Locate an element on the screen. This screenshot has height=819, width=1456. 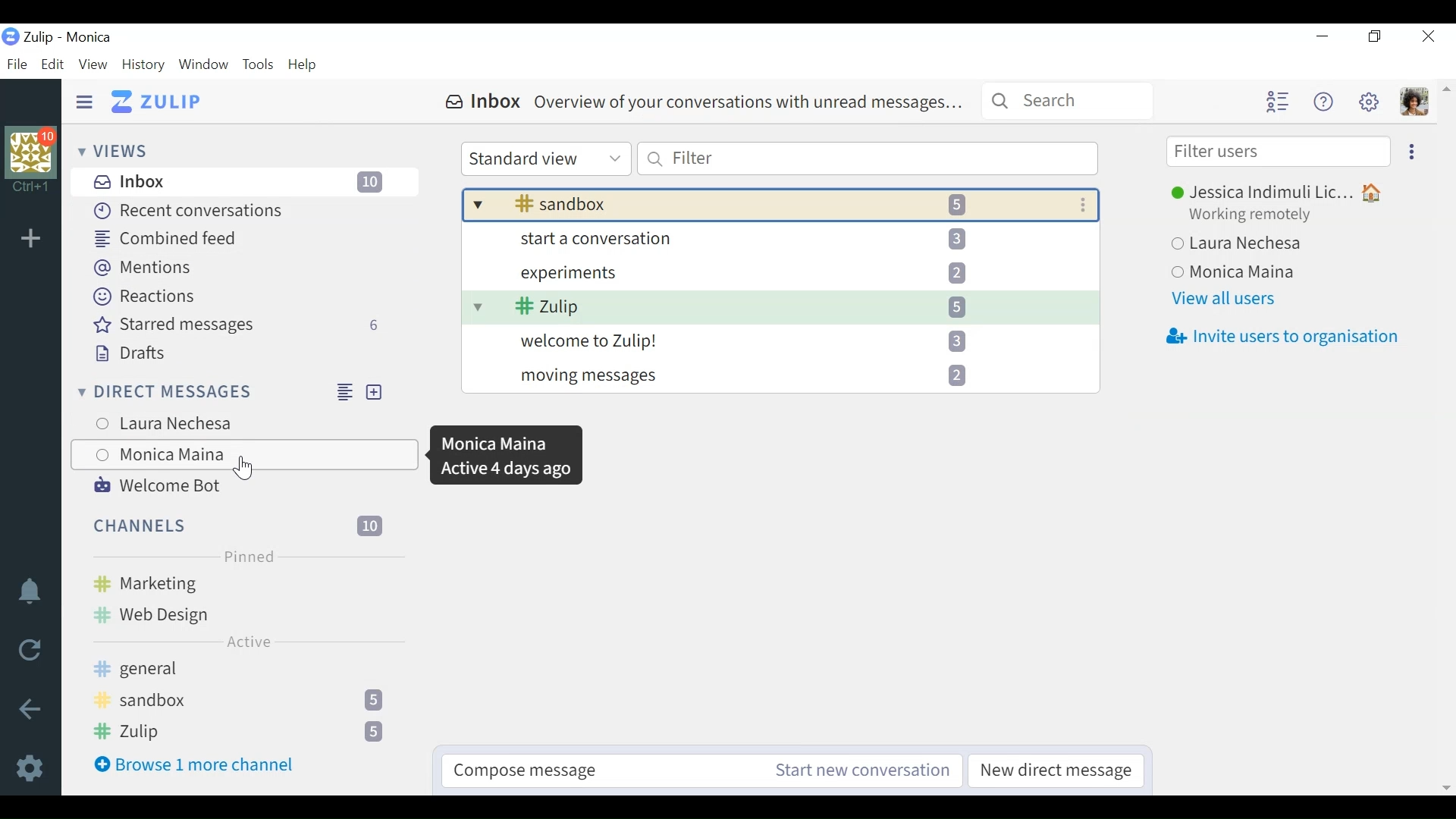
Filter is located at coordinates (866, 159).